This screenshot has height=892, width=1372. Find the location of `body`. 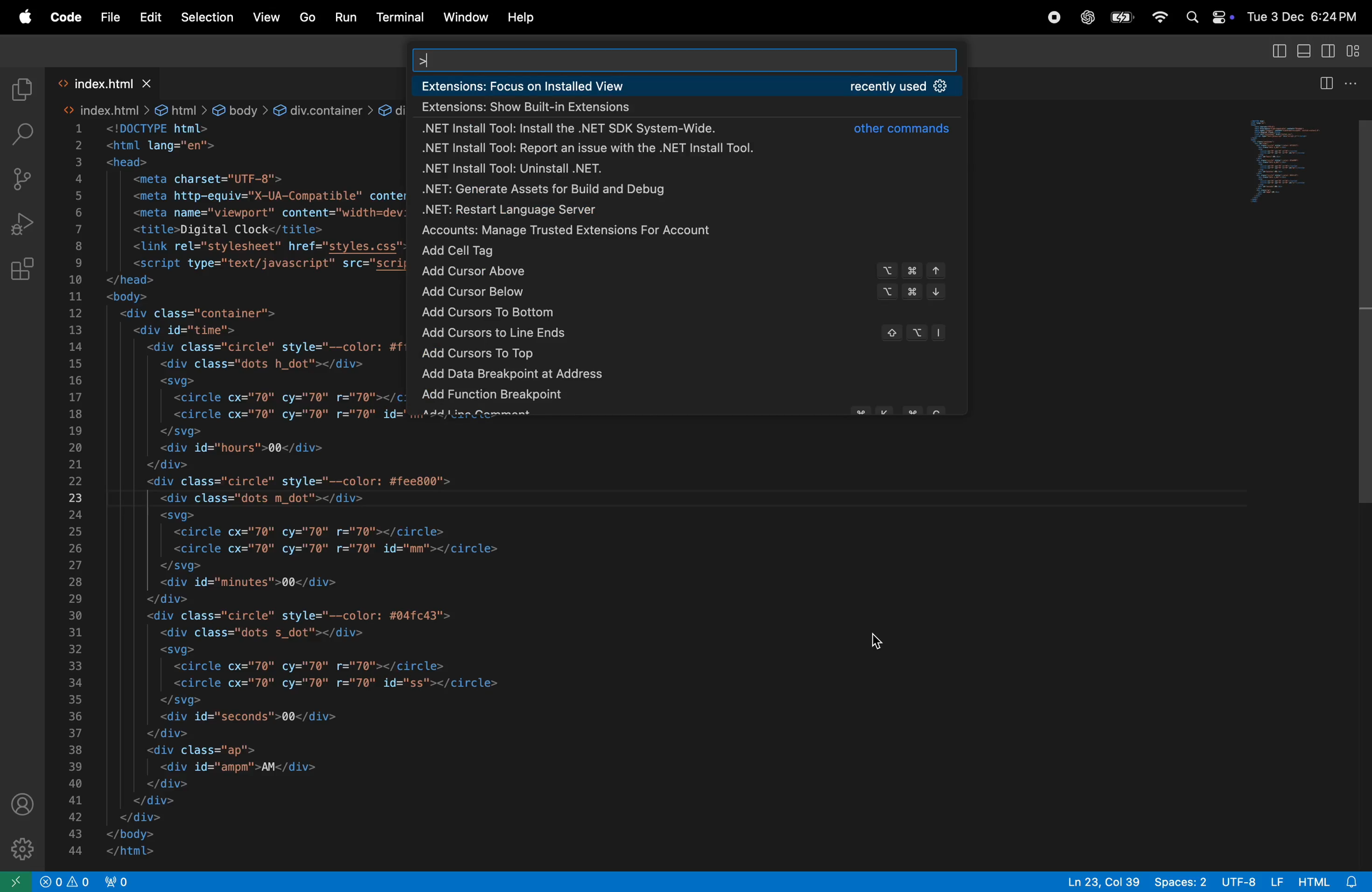

body is located at coordinates (240, 111).